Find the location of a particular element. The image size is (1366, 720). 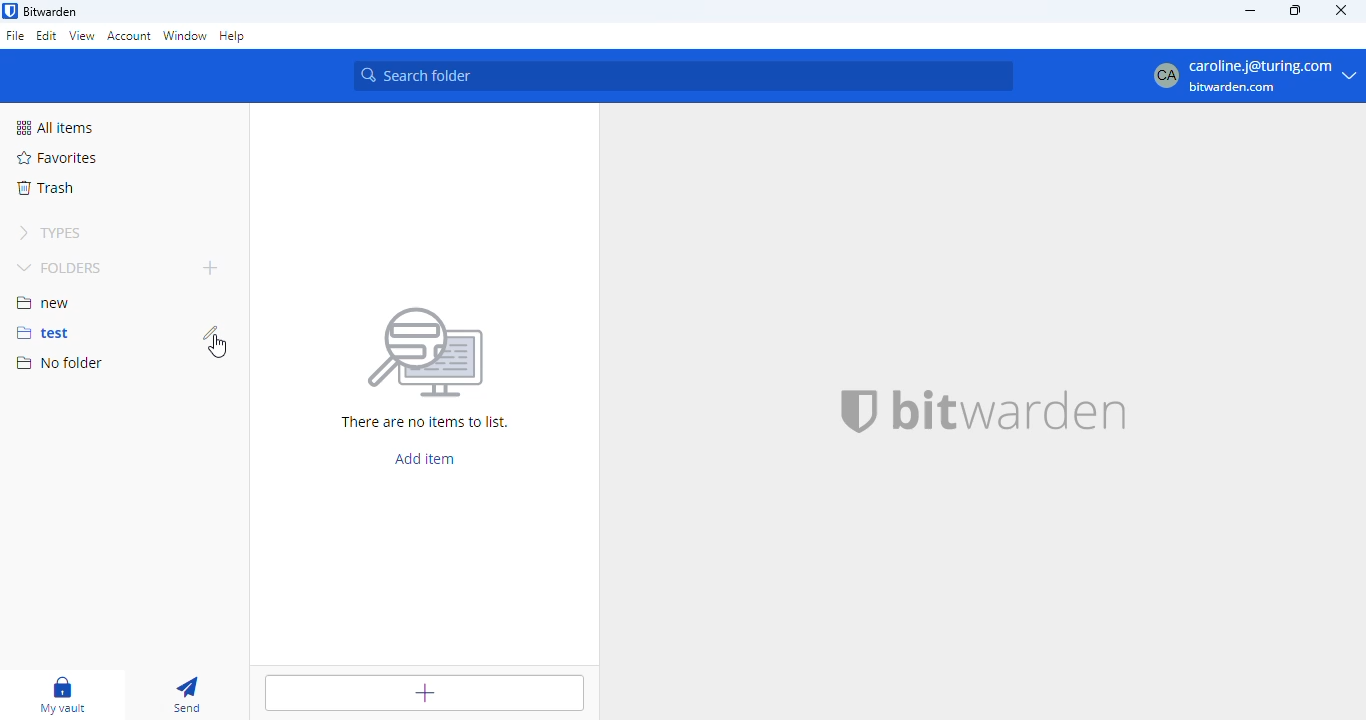

my vault is located at coordinates (63, 695).